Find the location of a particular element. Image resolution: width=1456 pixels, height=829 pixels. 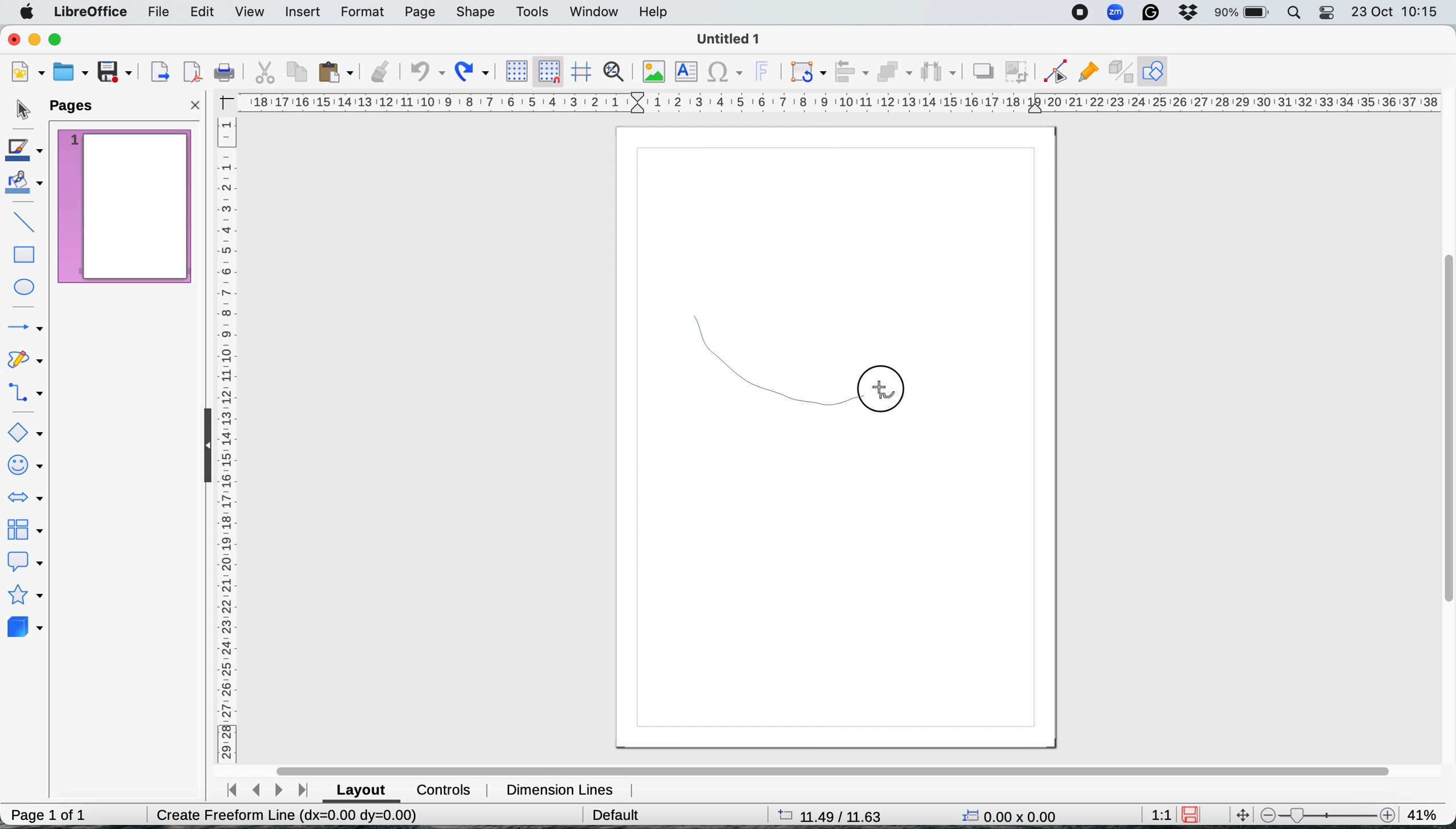

system logo is located at coordinates (27, 13).